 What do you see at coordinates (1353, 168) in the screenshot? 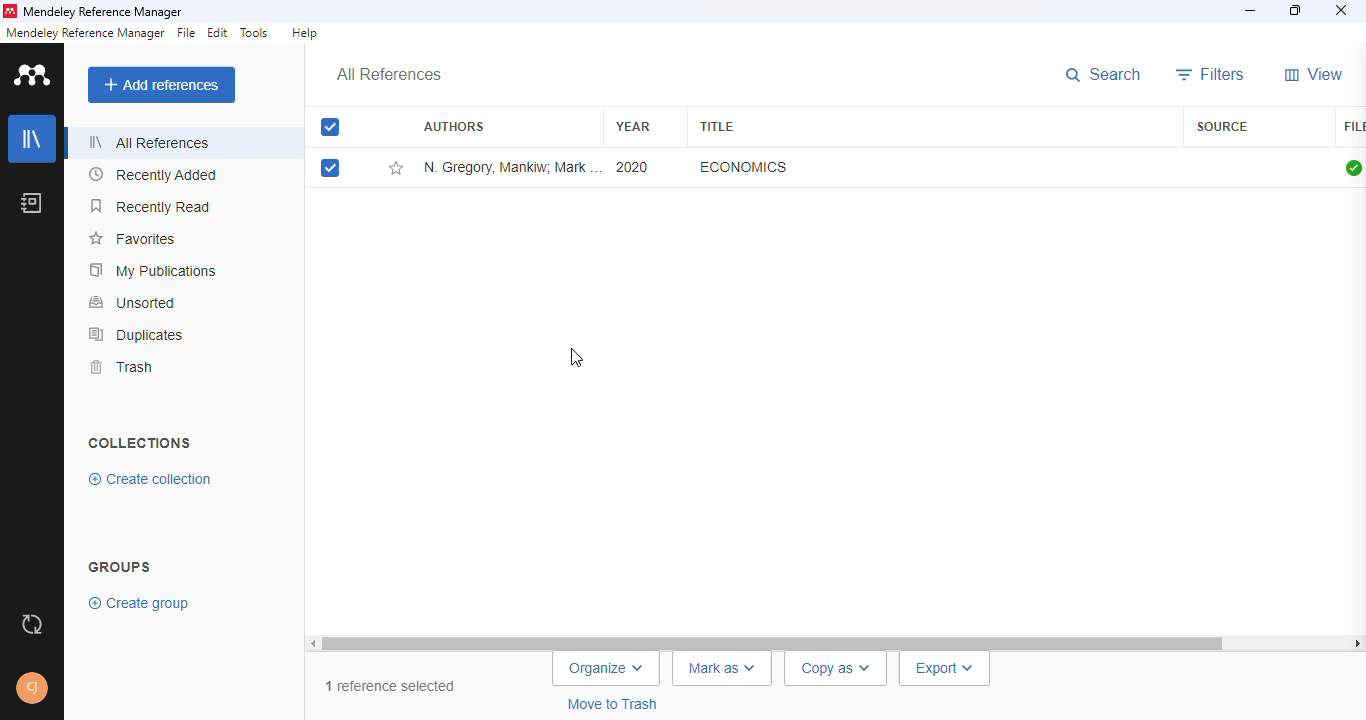
I see `all files downloaded` at bounding box center [1353, 168].